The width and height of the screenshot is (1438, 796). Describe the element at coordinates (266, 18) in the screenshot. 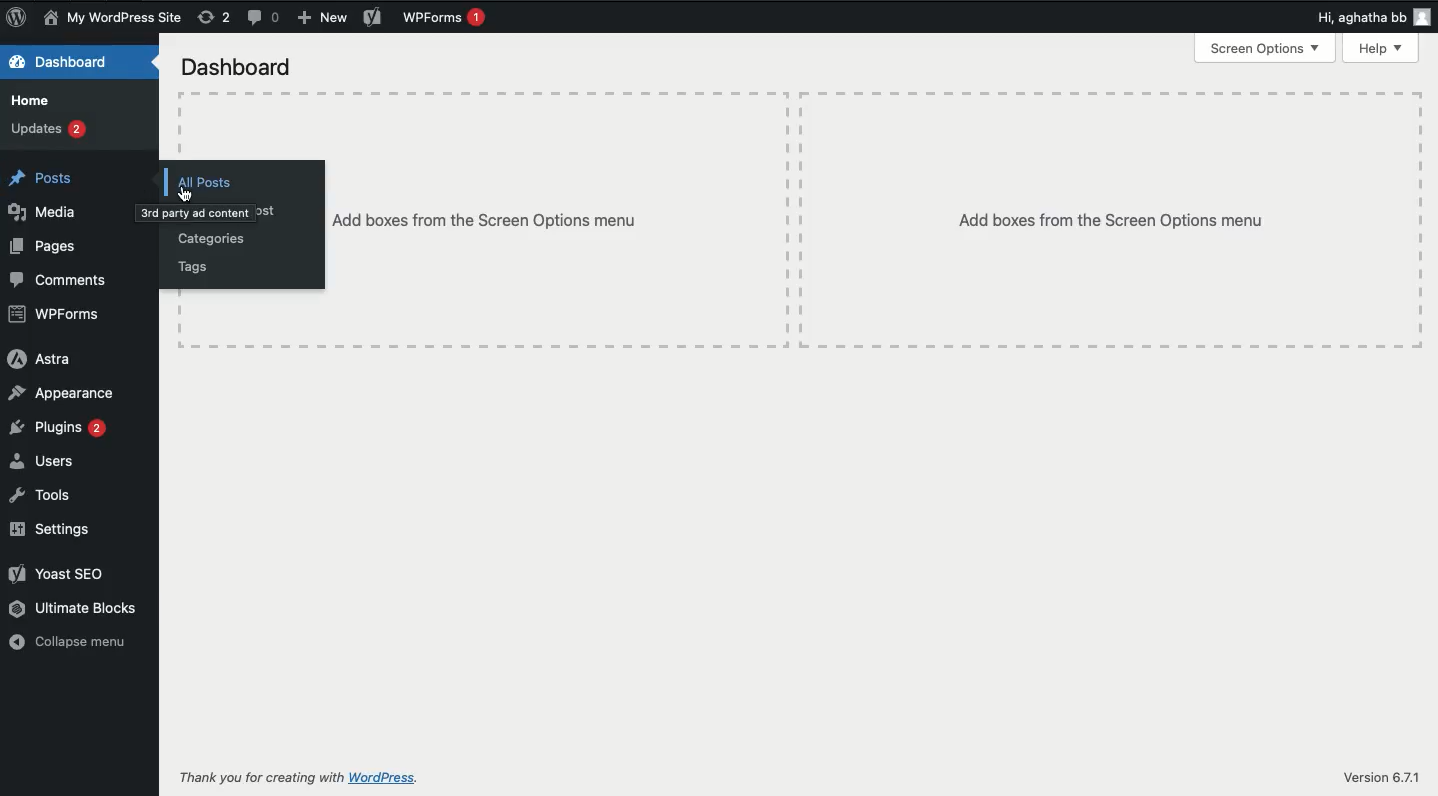

I see `Comments` at that location.